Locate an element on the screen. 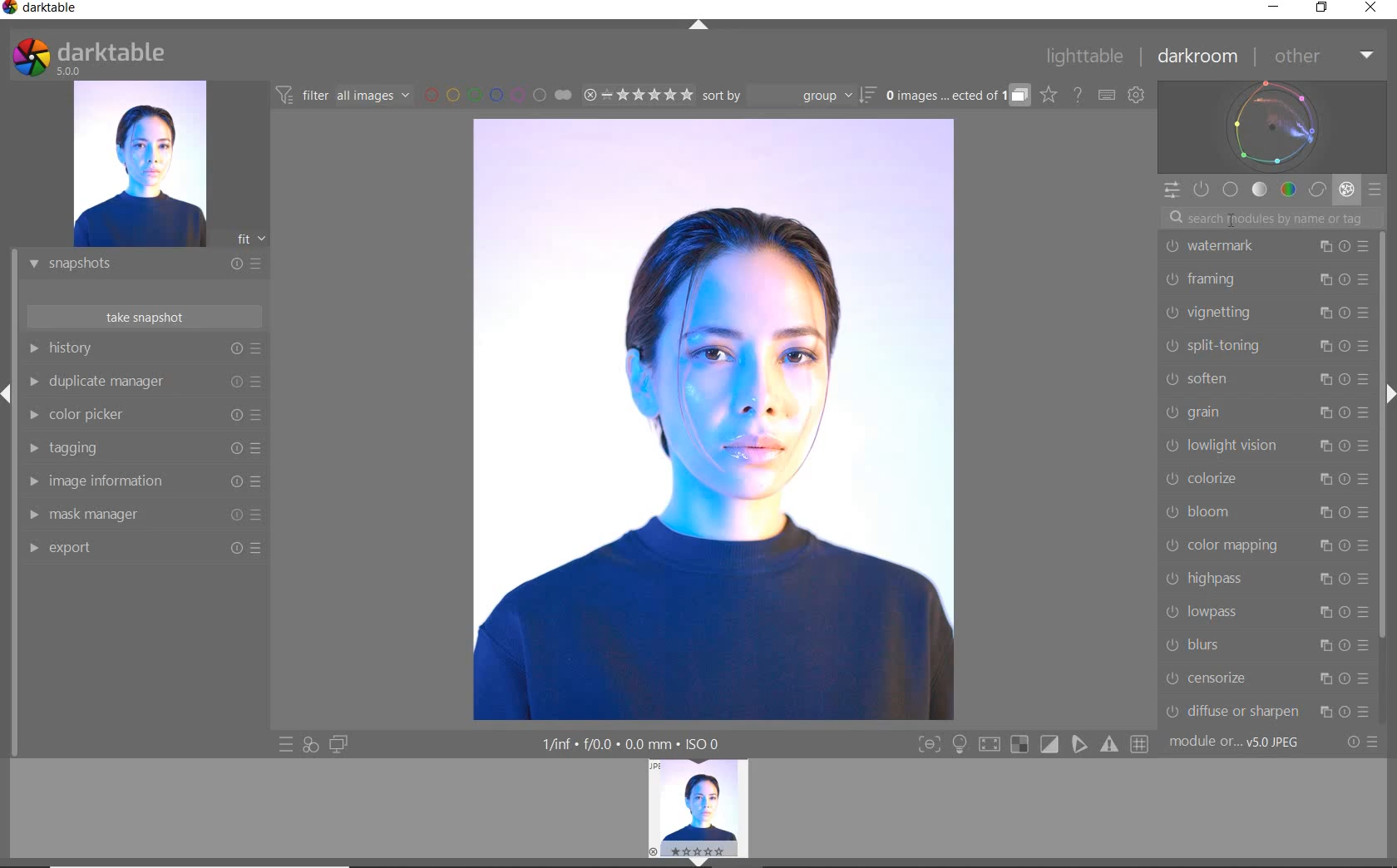 The height and width of the screenshot is (868, 1397). EXPAND/COLLAPSE is located at coordinates (701, 27).